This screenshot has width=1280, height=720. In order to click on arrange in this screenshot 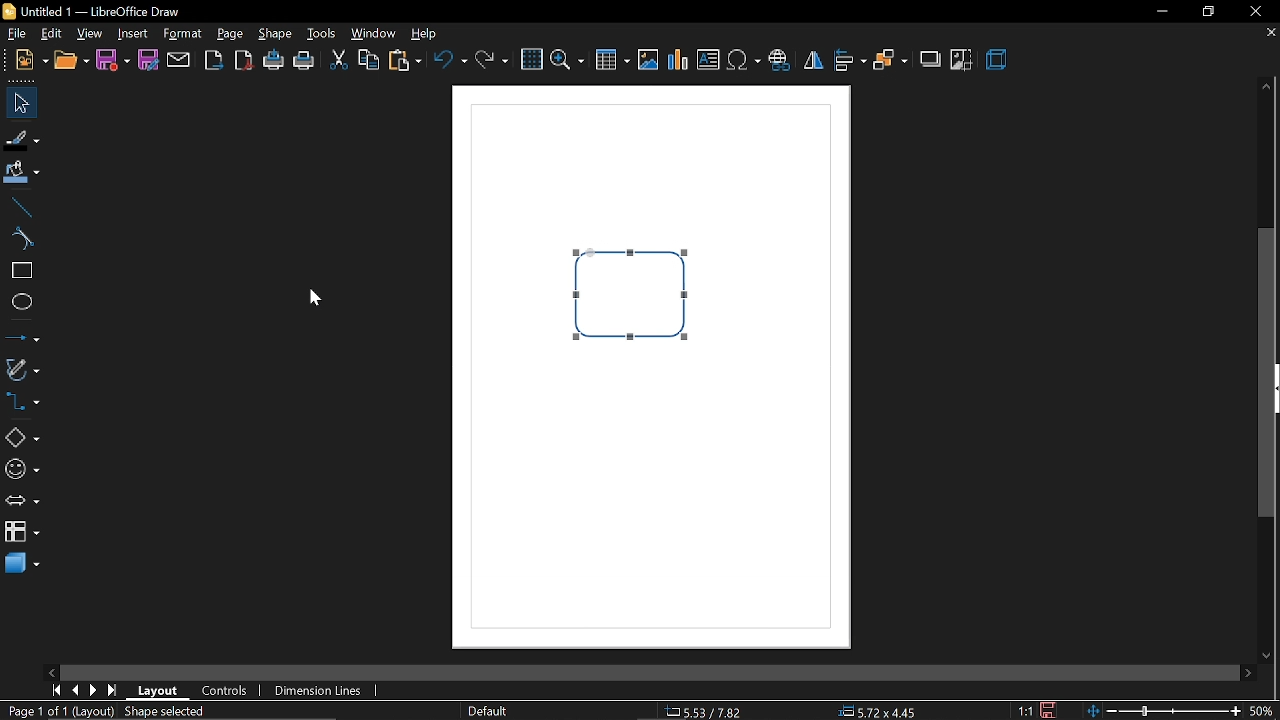, I will do `click(889, 63)`.